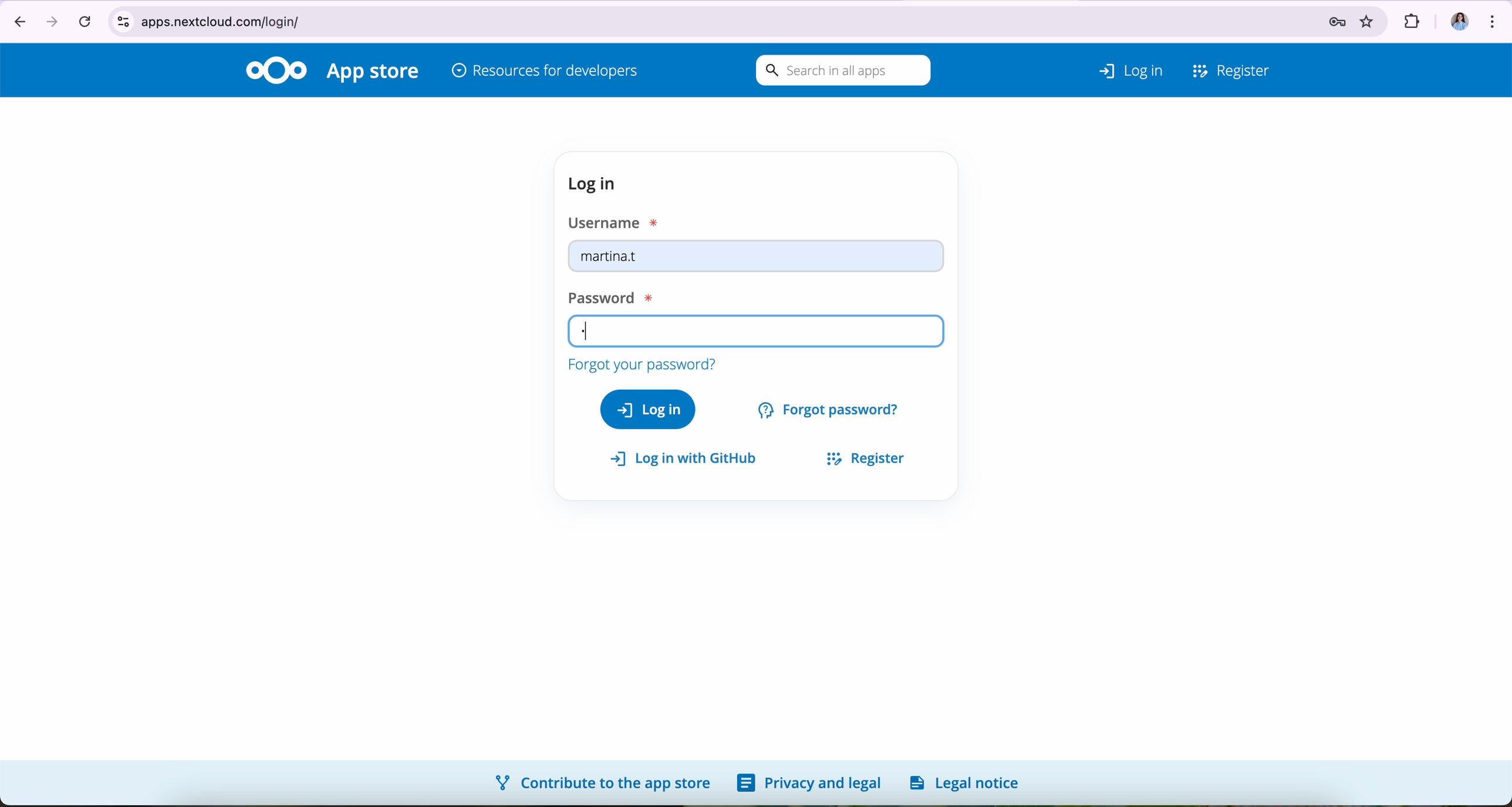 Image resolution: width=1512 pixels, height=807 pixels. I want to click on legal notice, so click(968, 782).